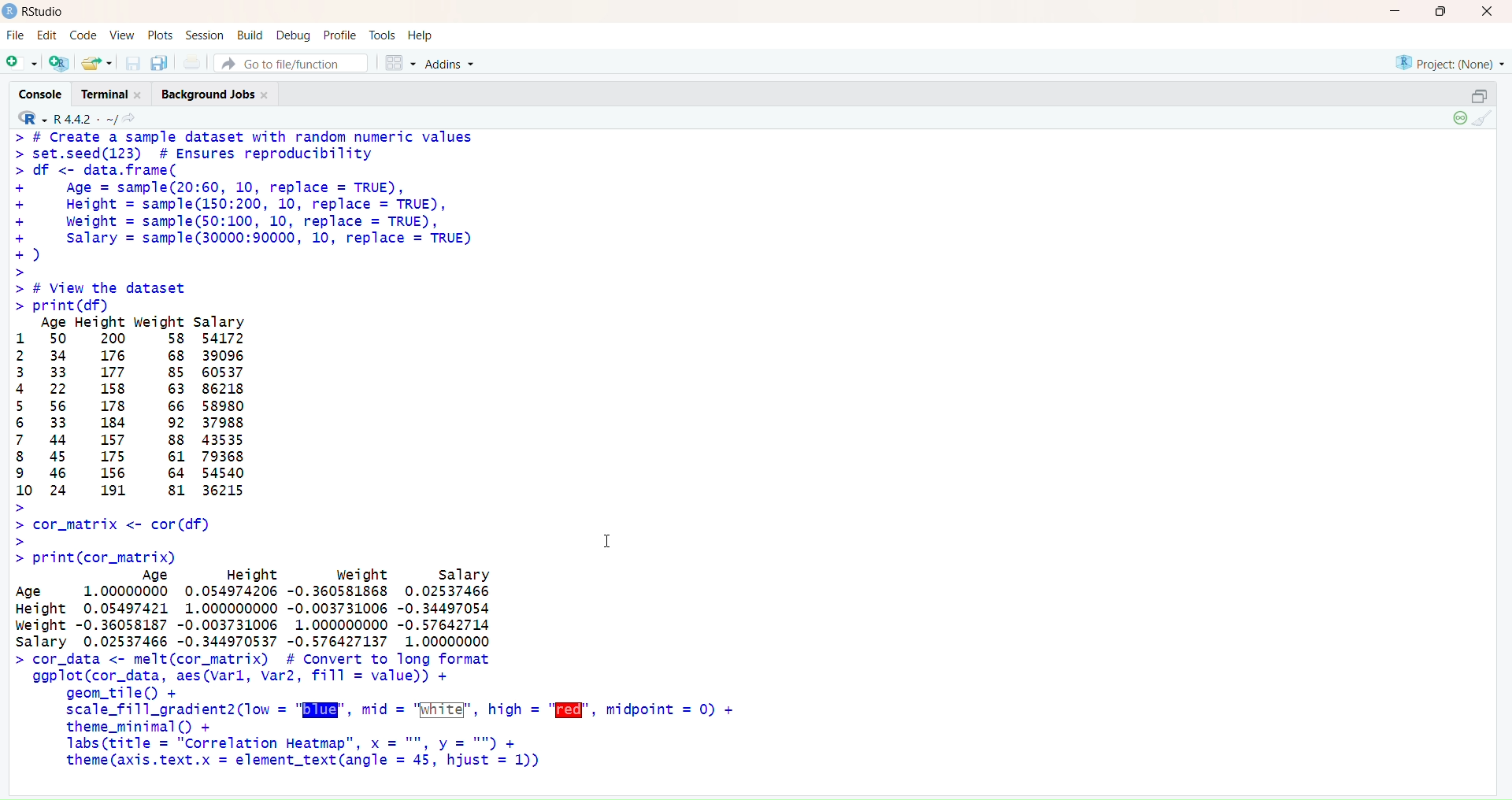 This screenshot has height=800, width=1512. I want to click on Go to file/function, so click(290, 64).